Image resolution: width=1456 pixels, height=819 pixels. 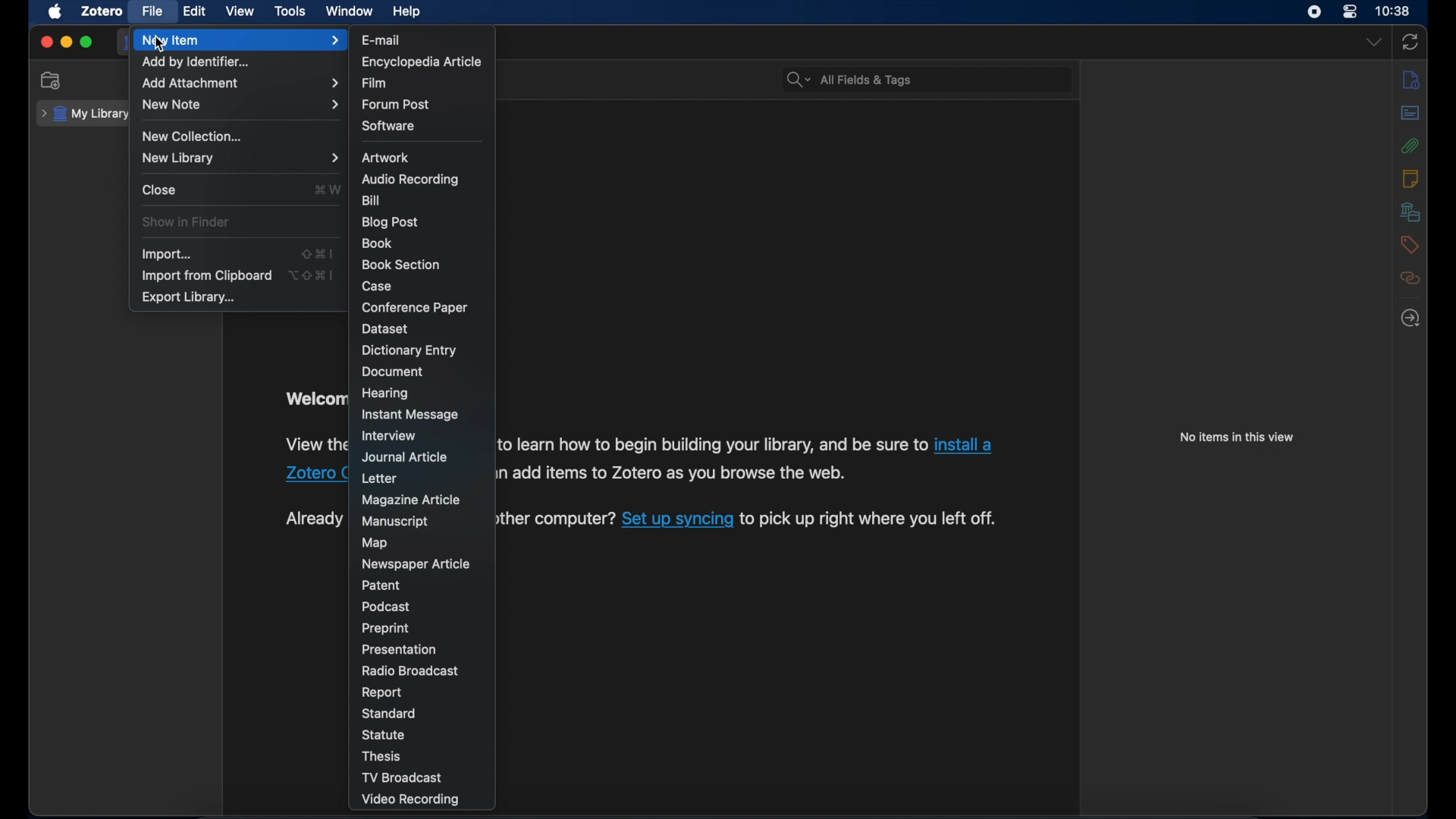 What do you see at coordinates (1410, 278) in the screenshot?
I see `related` at bounding box center [1410, 278].